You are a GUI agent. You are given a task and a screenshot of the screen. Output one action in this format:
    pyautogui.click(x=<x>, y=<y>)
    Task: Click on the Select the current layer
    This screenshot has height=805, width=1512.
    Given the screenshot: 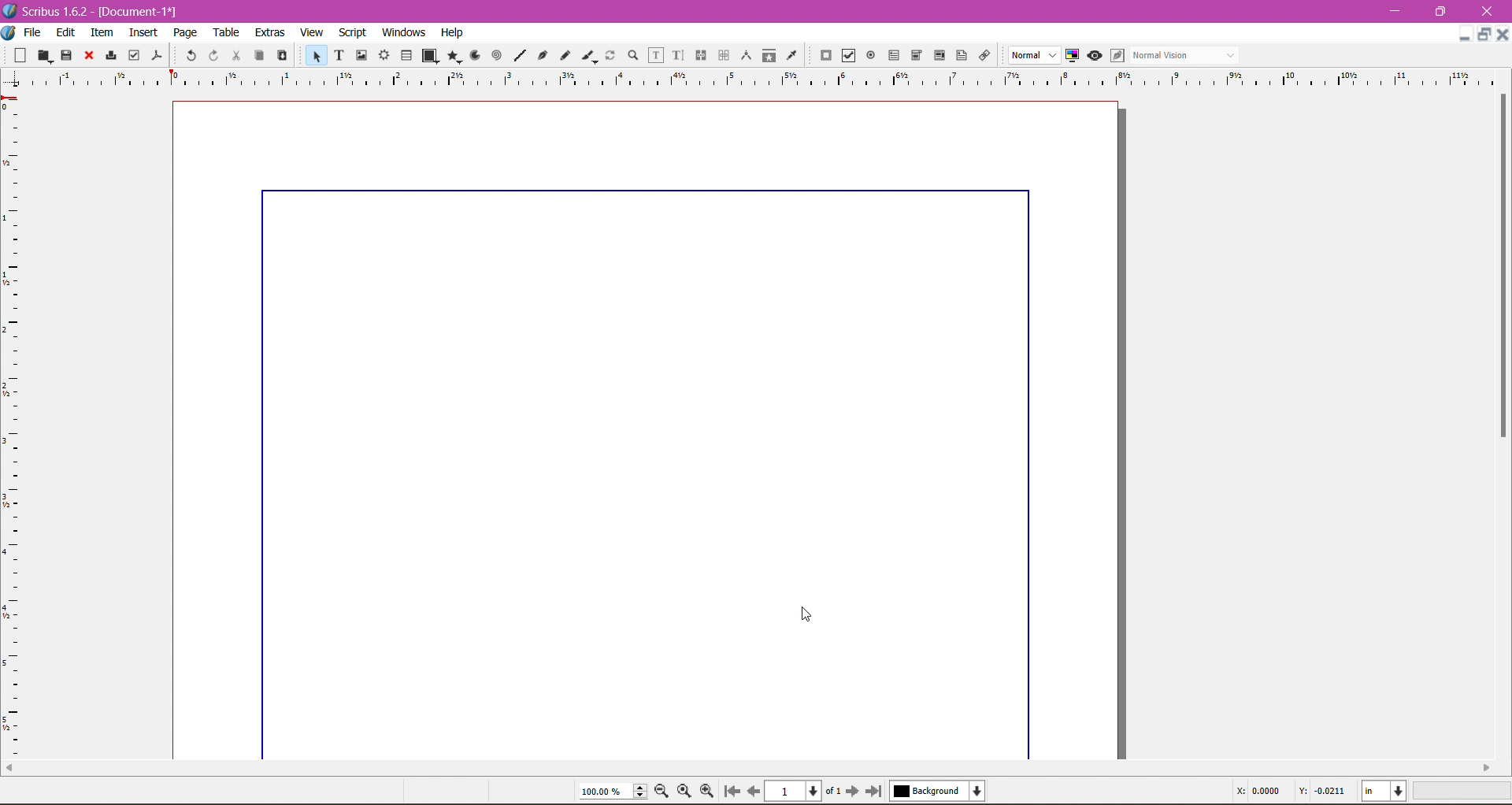 What is the action you would take?
    pyautogui.click(x=935, y=792)
    